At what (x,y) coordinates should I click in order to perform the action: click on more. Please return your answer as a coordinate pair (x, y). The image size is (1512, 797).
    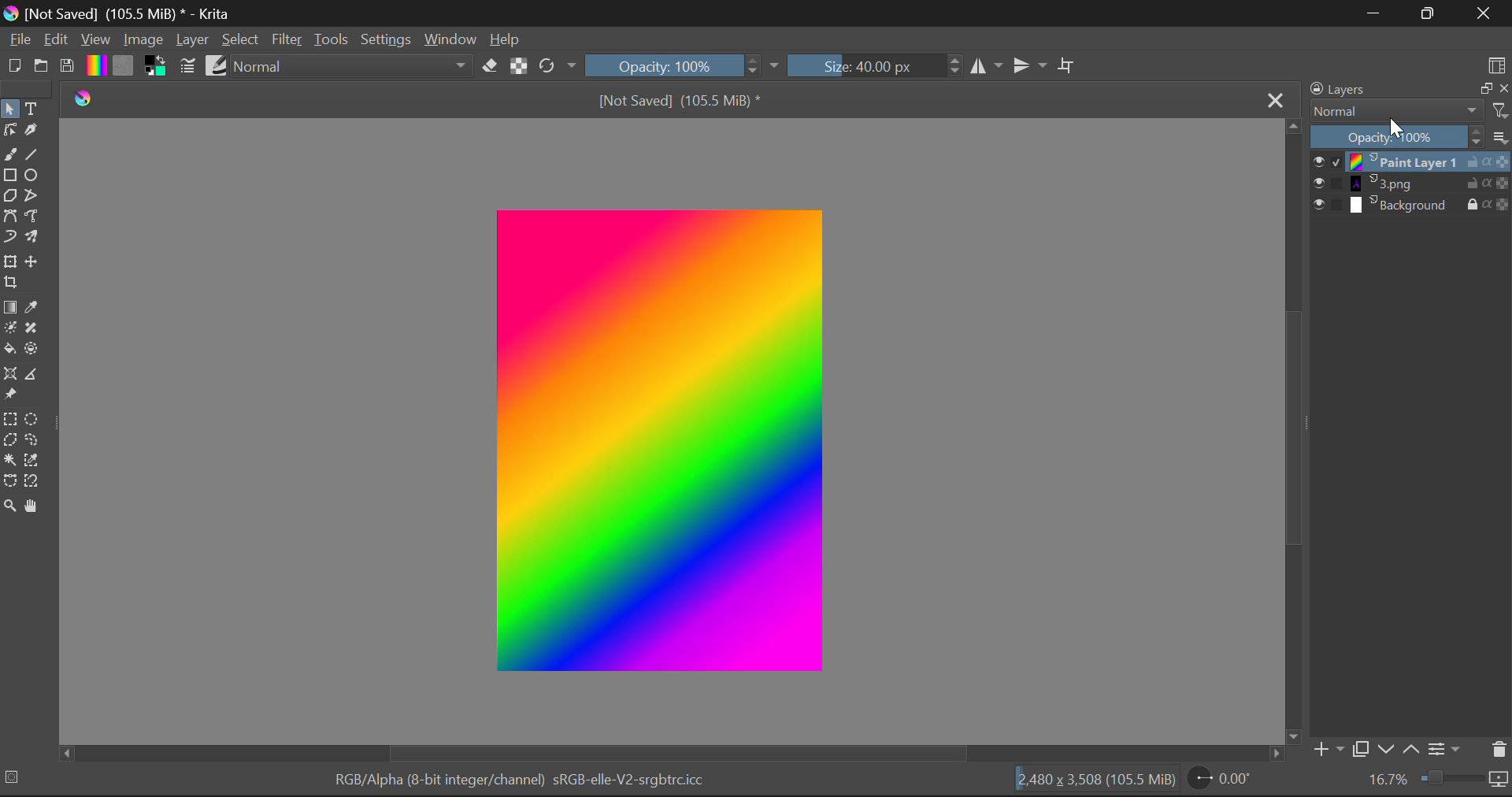
    Looking at the image, I should click on (1500, 138).